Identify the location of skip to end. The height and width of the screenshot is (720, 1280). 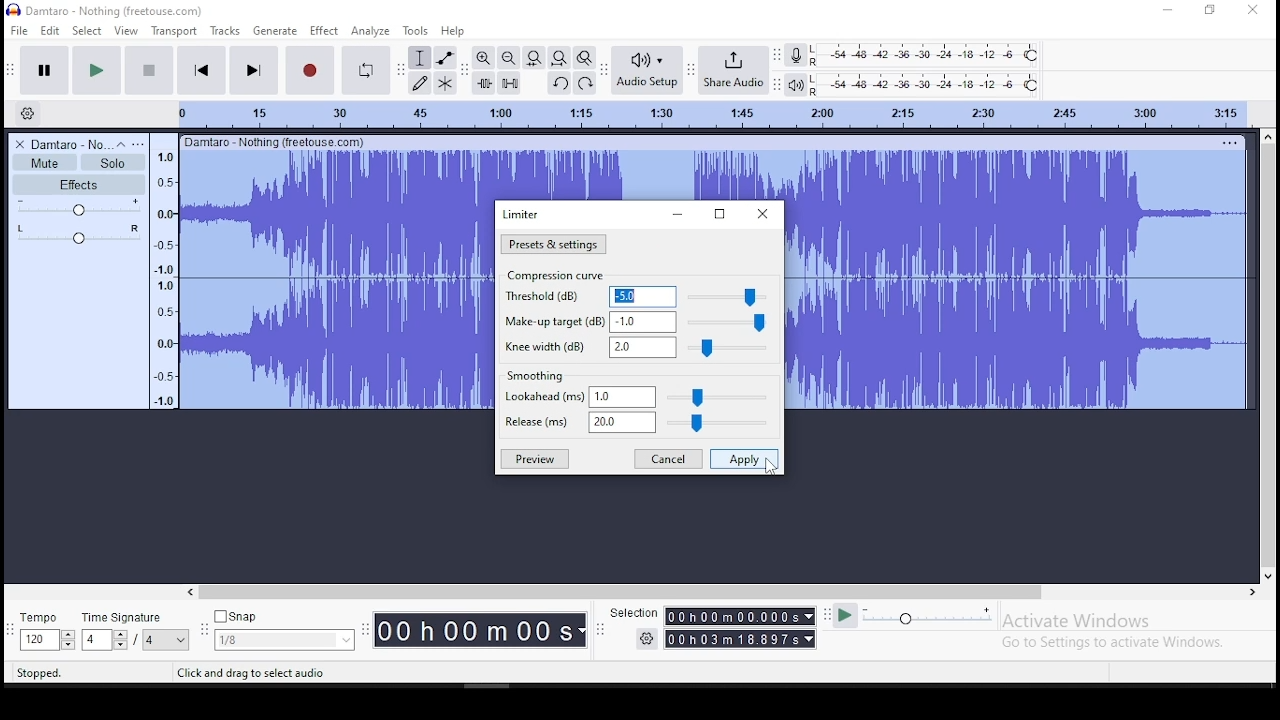
(253, 71).